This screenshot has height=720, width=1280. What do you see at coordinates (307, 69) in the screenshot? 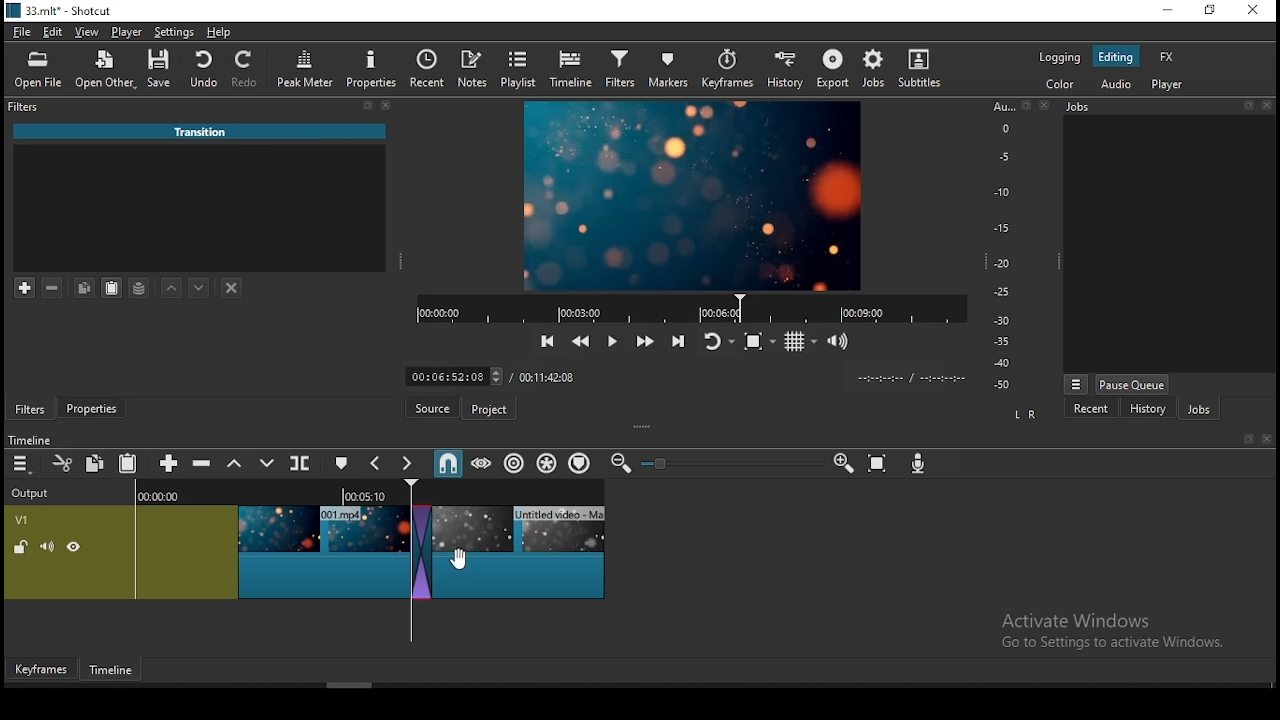
I see `peak meter` at bounding box center [307, 69].